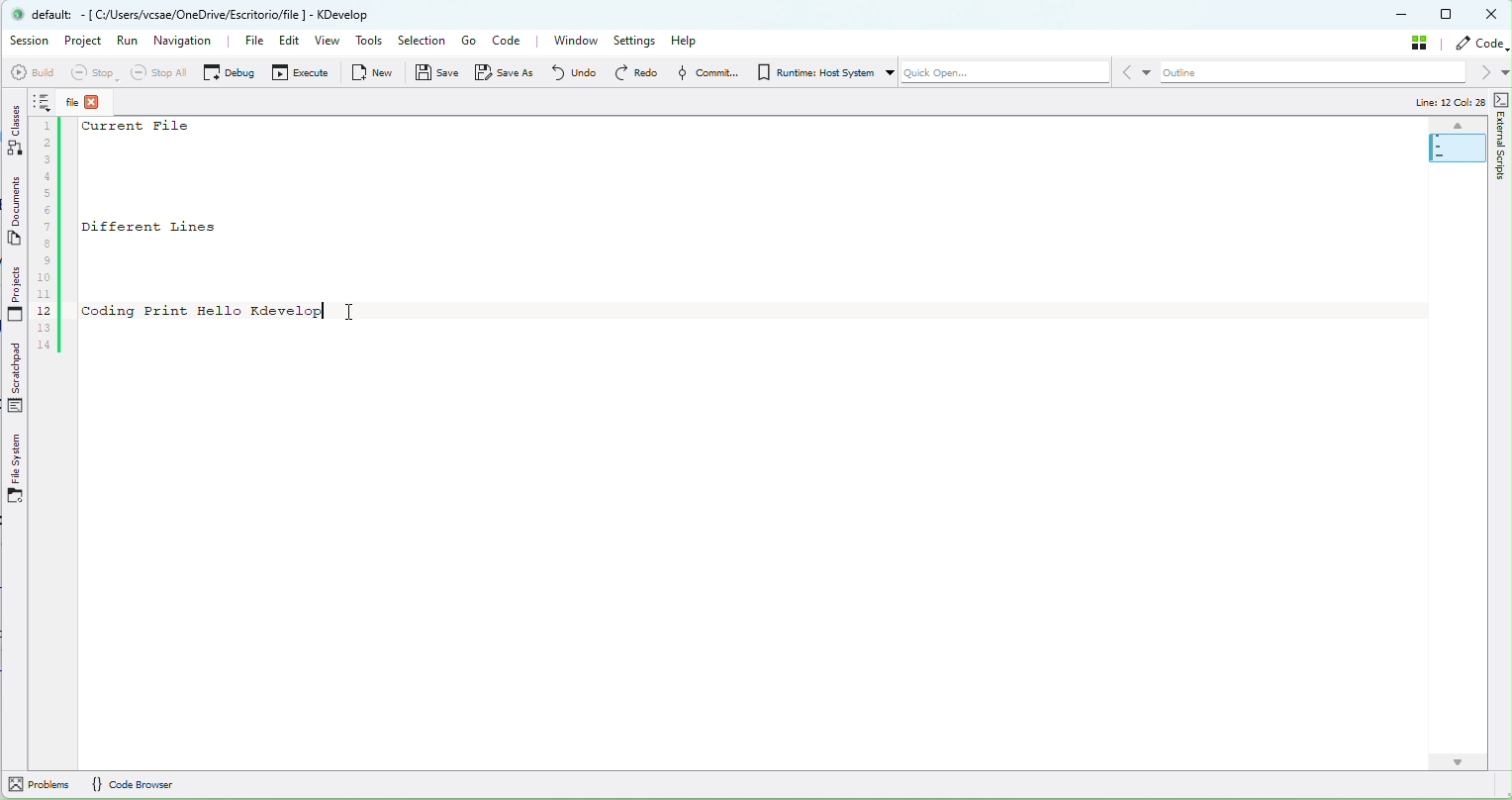  What do you see at coordinates (691, 40) in the screenshot?
I see `Help` at bounding box center [691, 40].